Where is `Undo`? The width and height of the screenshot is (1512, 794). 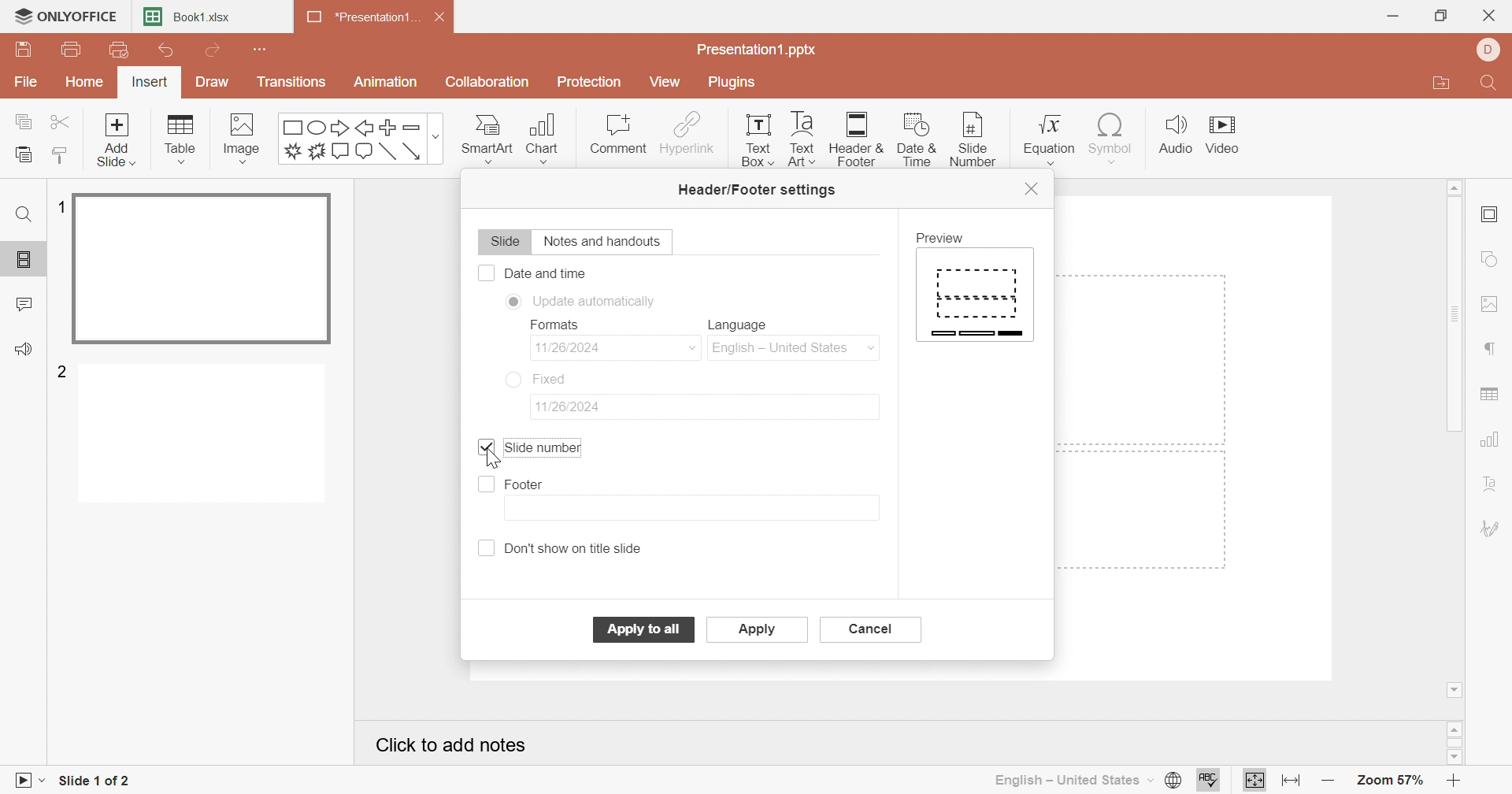
Undo is located at coordinates (166, 54).